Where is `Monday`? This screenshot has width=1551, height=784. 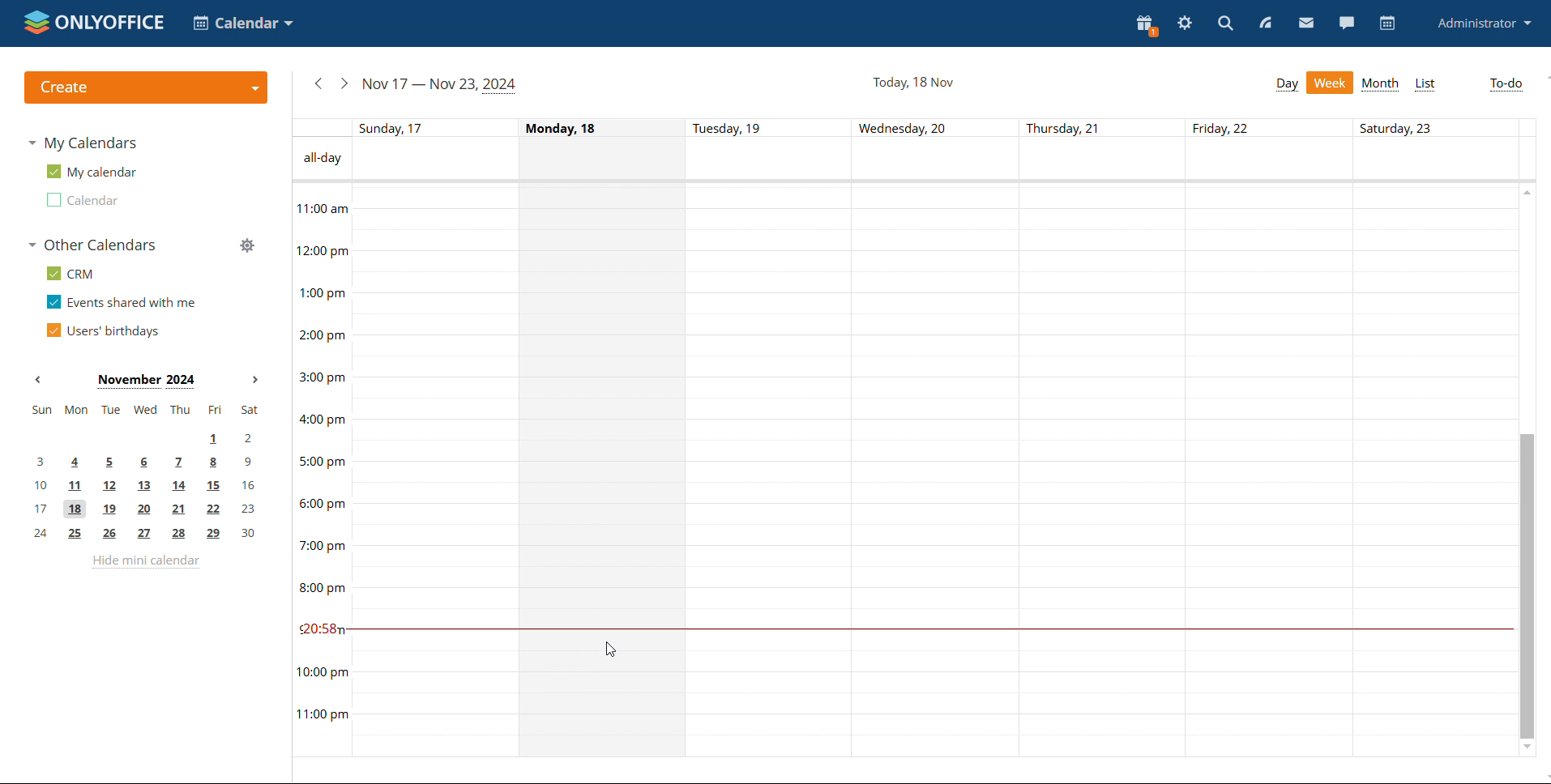 Monday is located at coordinates (602, 473).